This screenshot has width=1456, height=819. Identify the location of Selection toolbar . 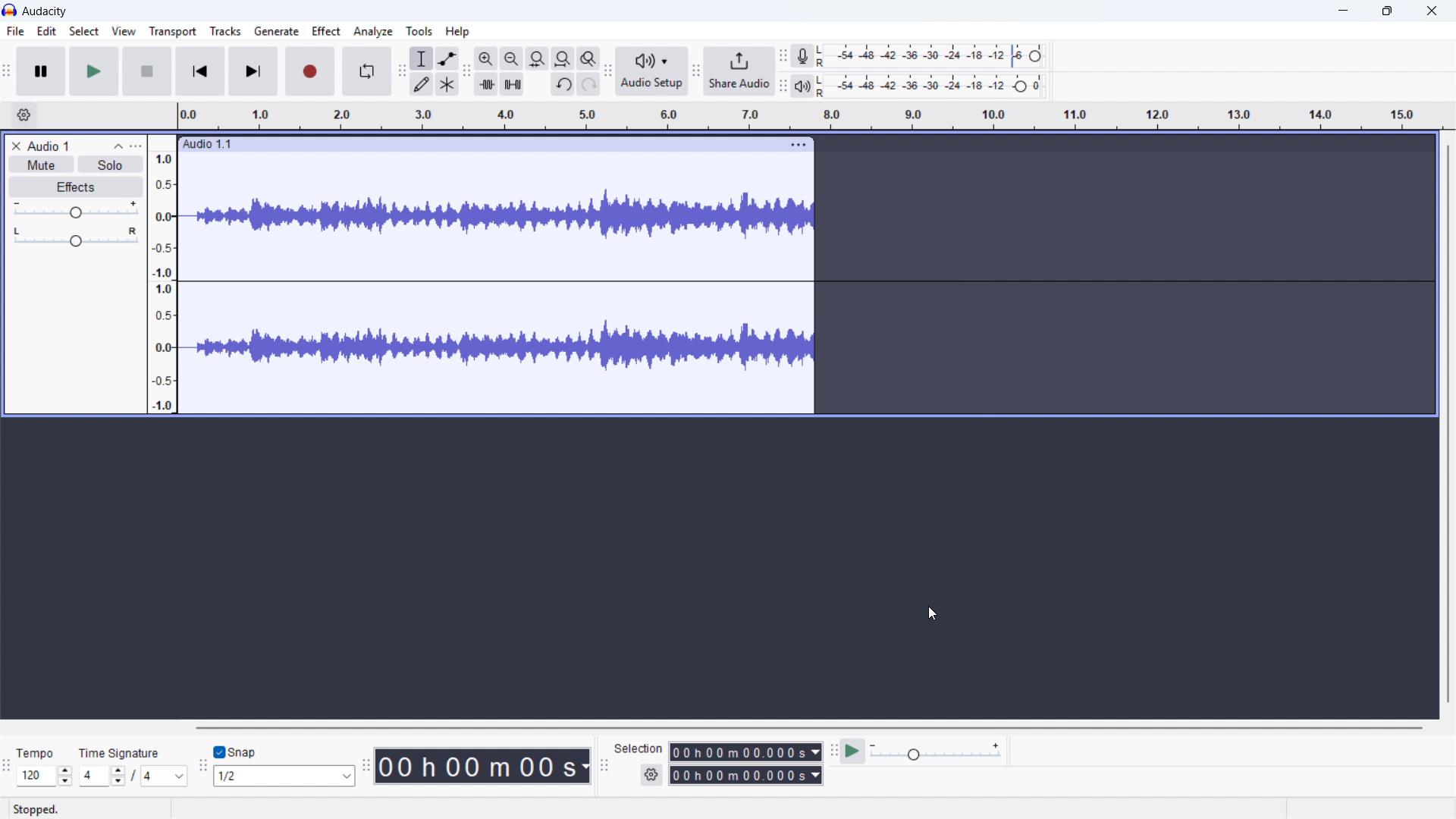
(604, 764).